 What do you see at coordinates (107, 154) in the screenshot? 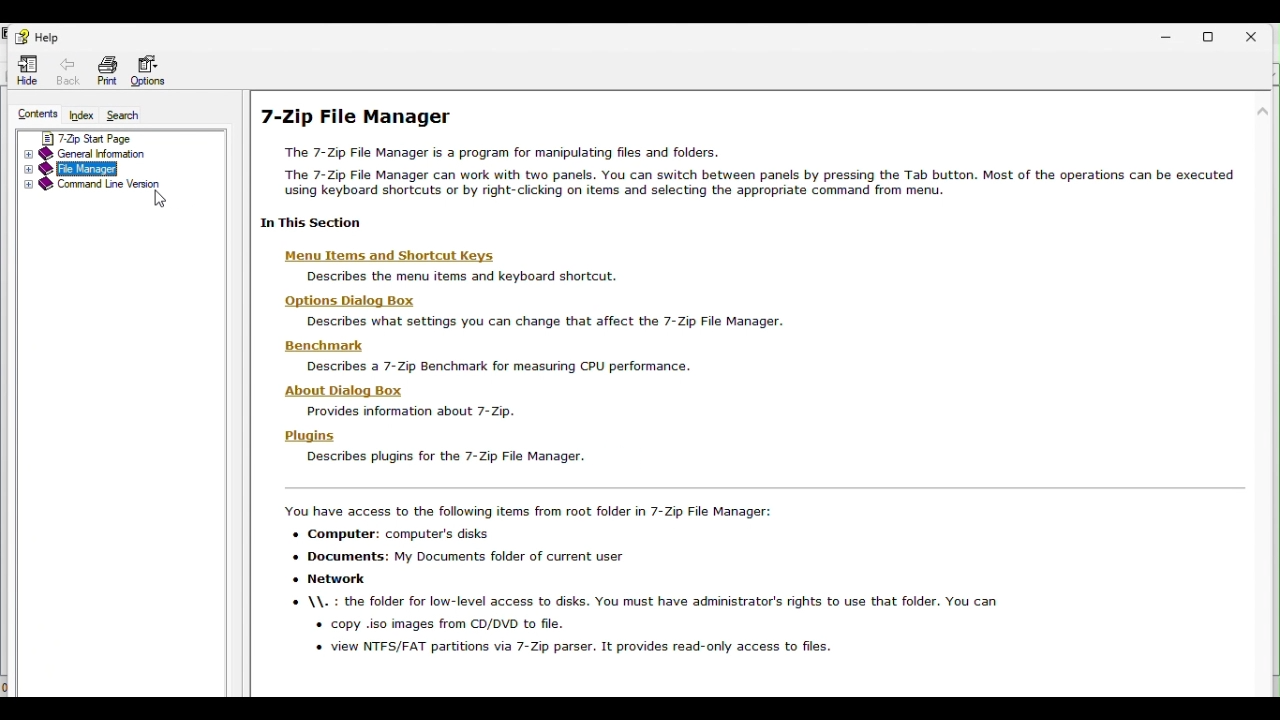
I see `General information` at bounding box center [107, 154].